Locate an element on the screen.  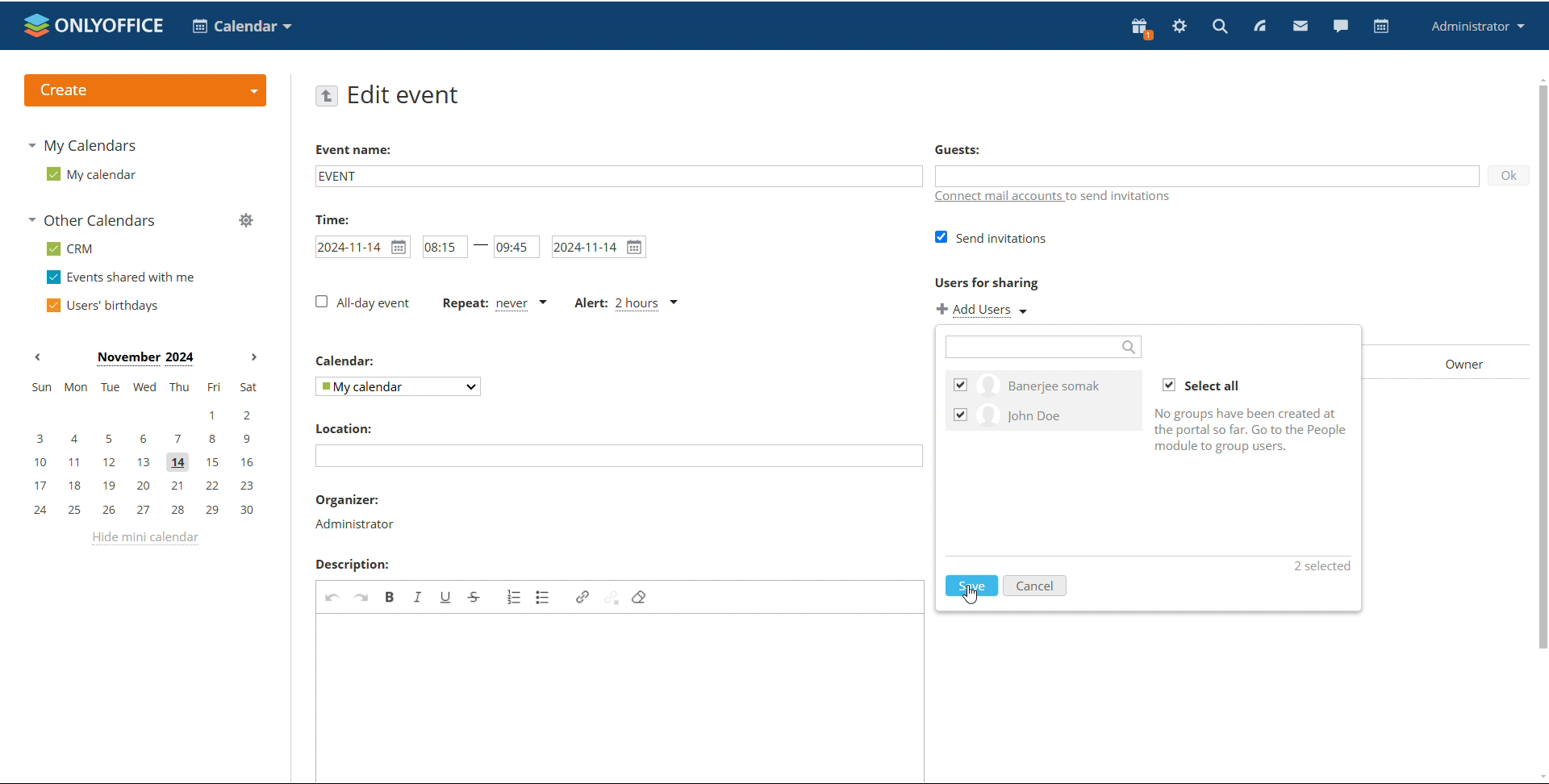
redo is located at coordinates (363, 596).